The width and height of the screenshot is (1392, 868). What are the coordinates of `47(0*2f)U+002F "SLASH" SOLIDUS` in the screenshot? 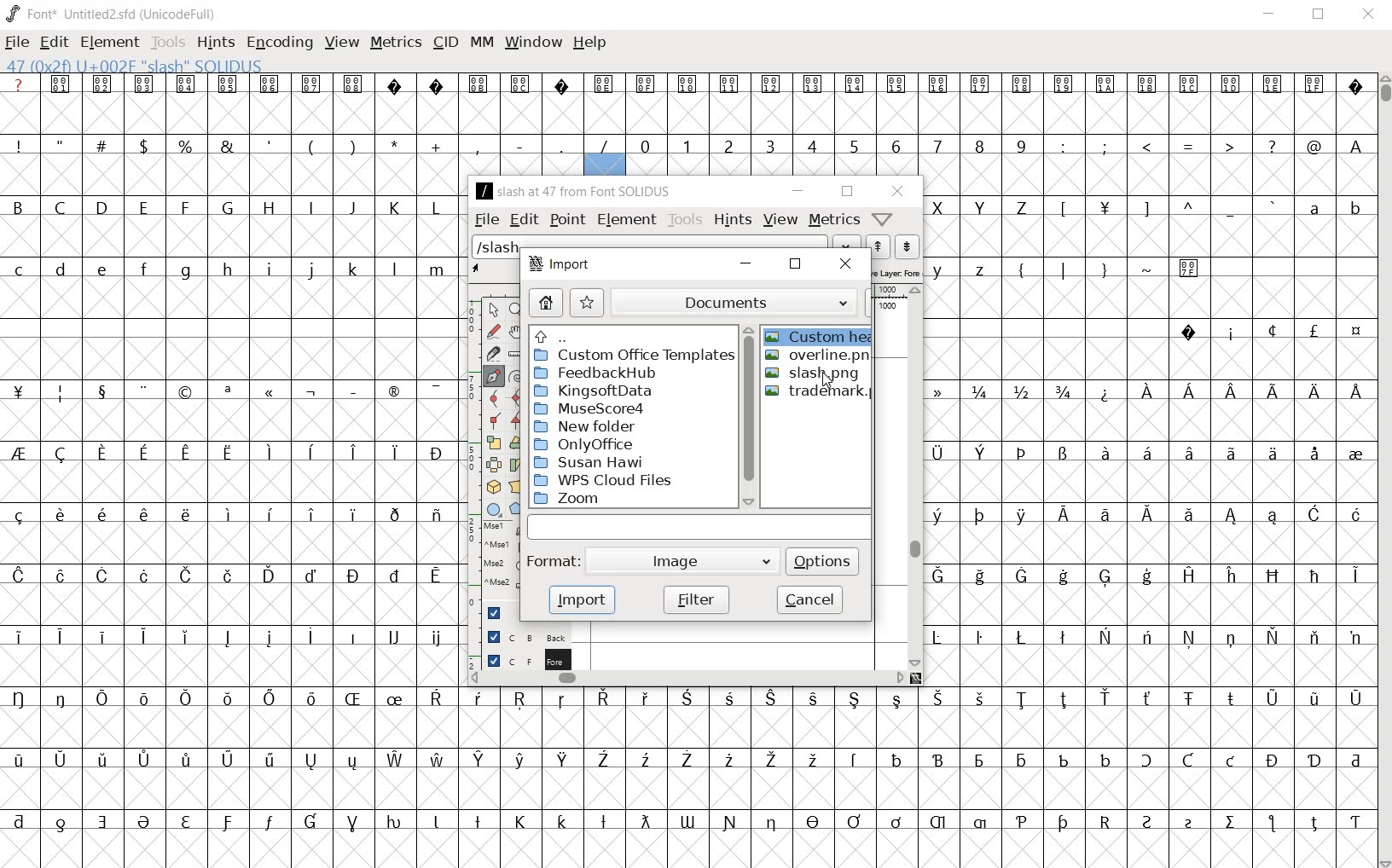 It's located at (134, 65).